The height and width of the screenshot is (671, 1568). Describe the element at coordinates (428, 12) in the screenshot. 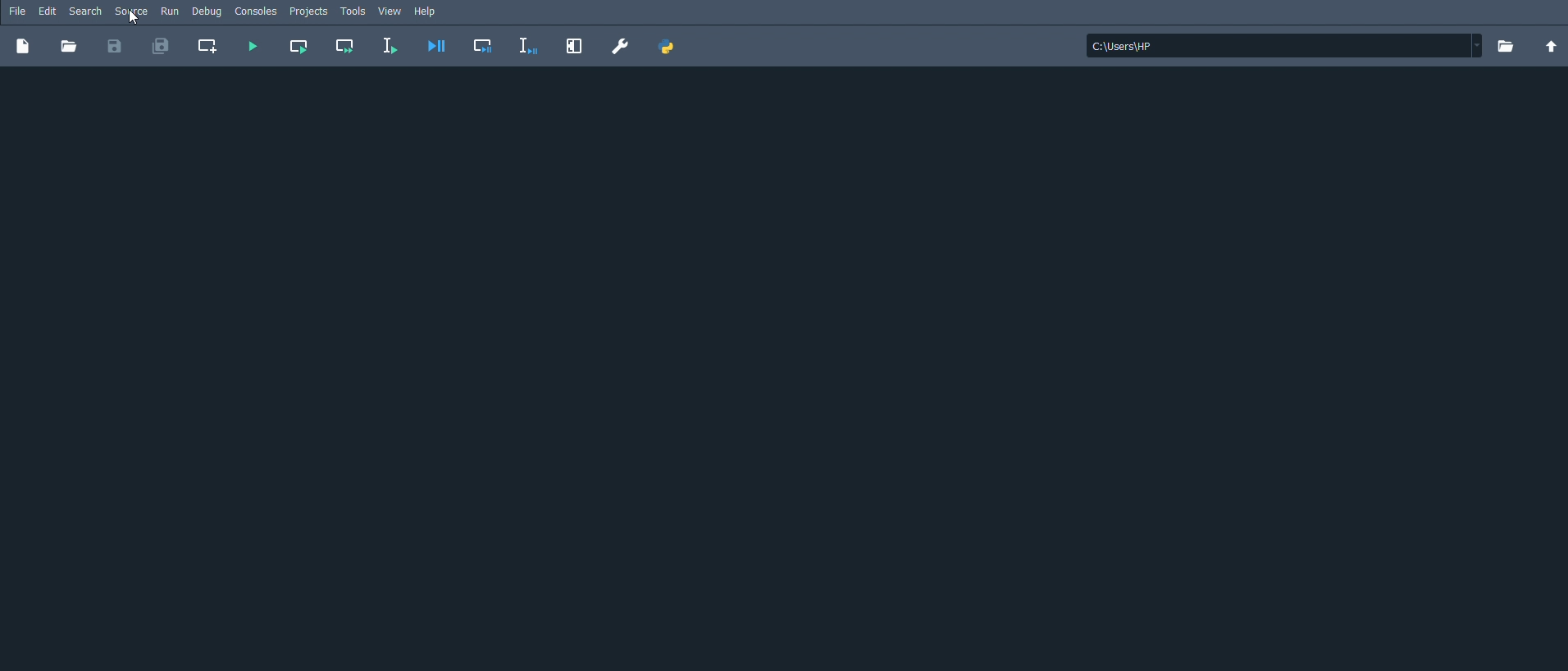

I see `Help` at that location.